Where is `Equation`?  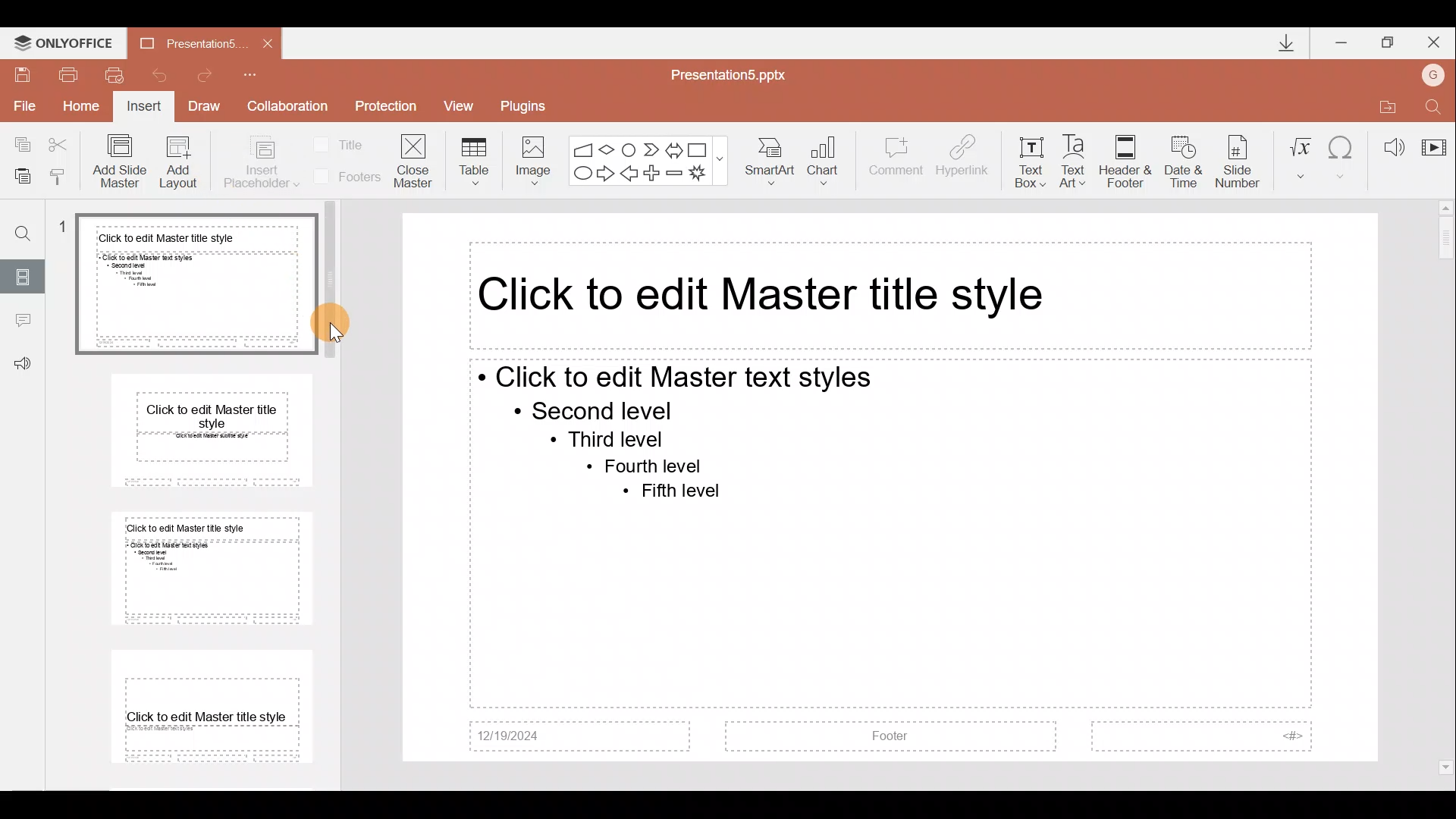 Equation is located at coordinates (1300, 155).